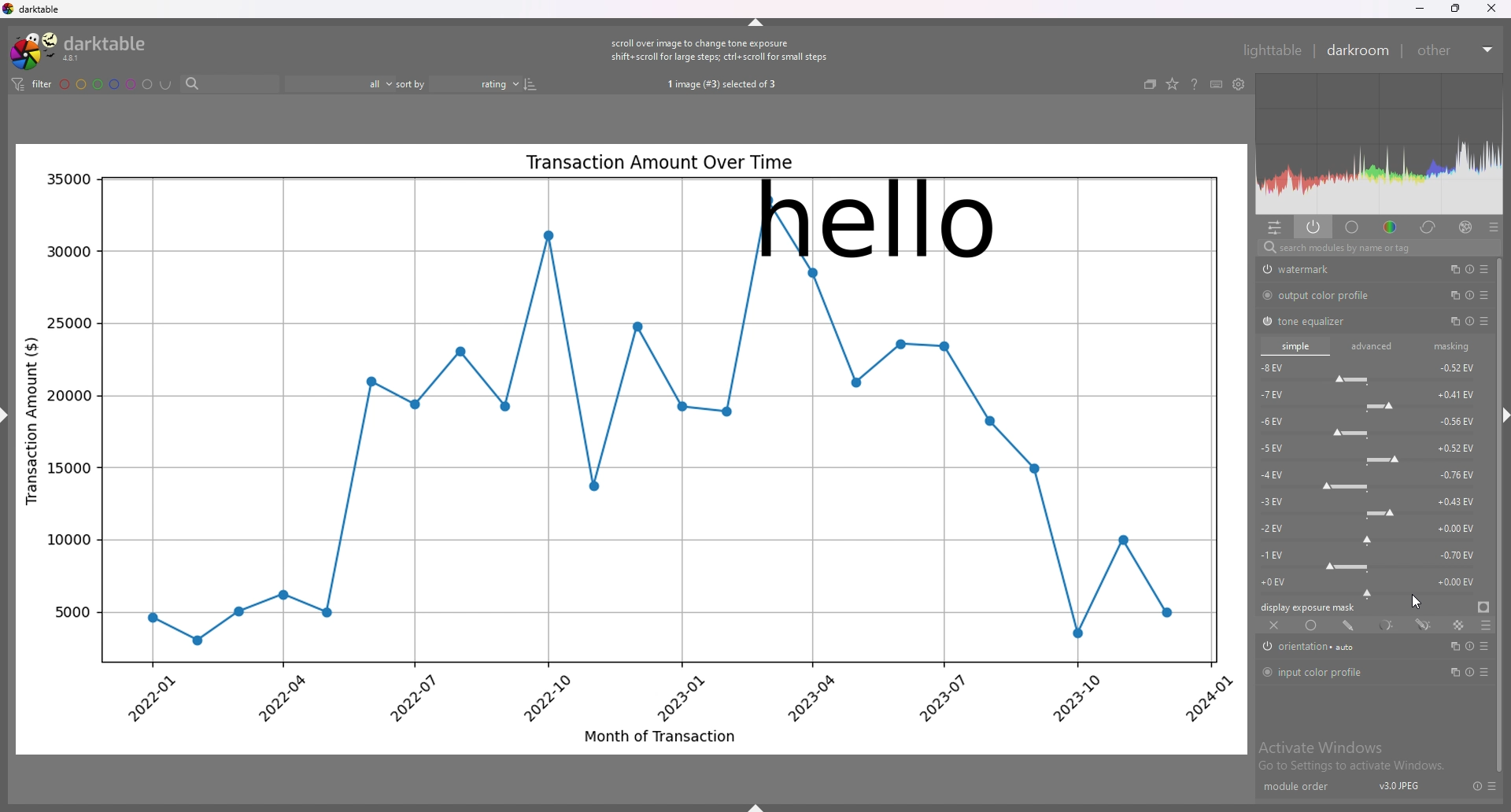  What do you see at coordinates (66, 252) in the screenshot?
I see `30000` at bounding box center [66, 252].